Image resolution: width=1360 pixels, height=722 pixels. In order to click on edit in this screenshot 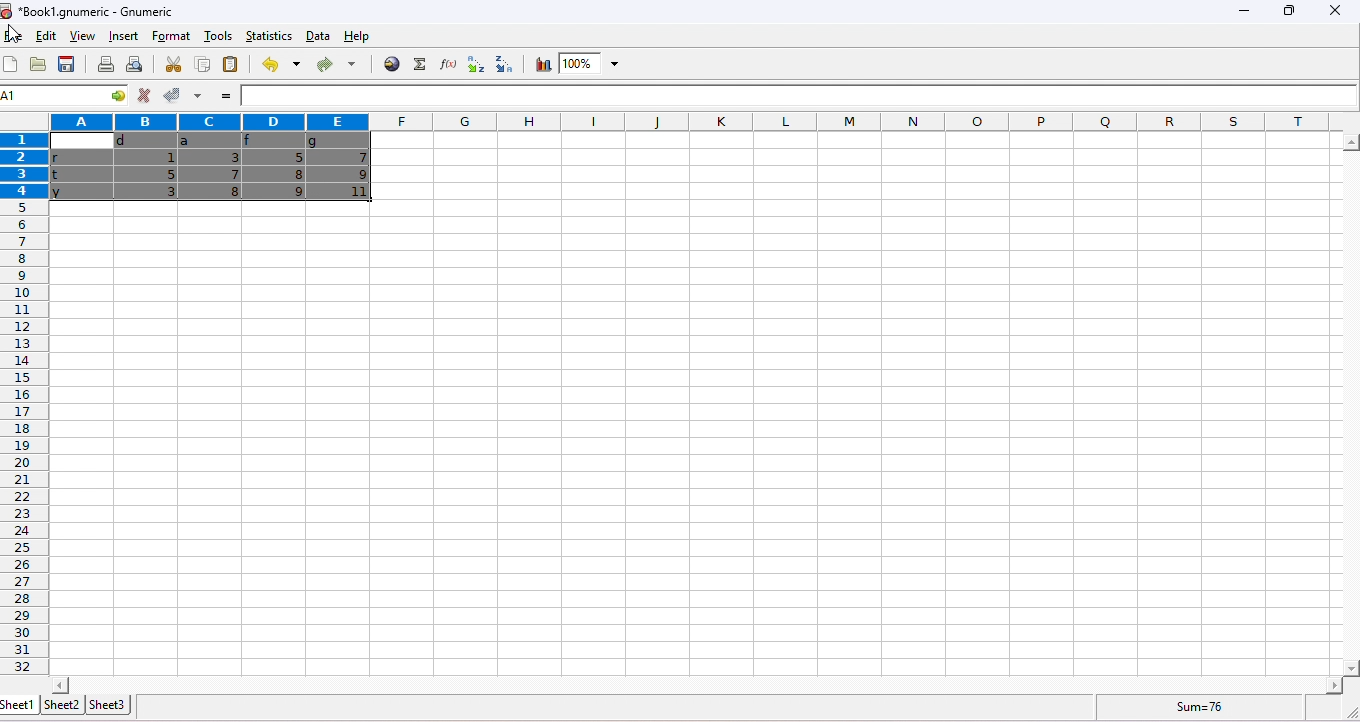, I will do `click(43, 37)`.